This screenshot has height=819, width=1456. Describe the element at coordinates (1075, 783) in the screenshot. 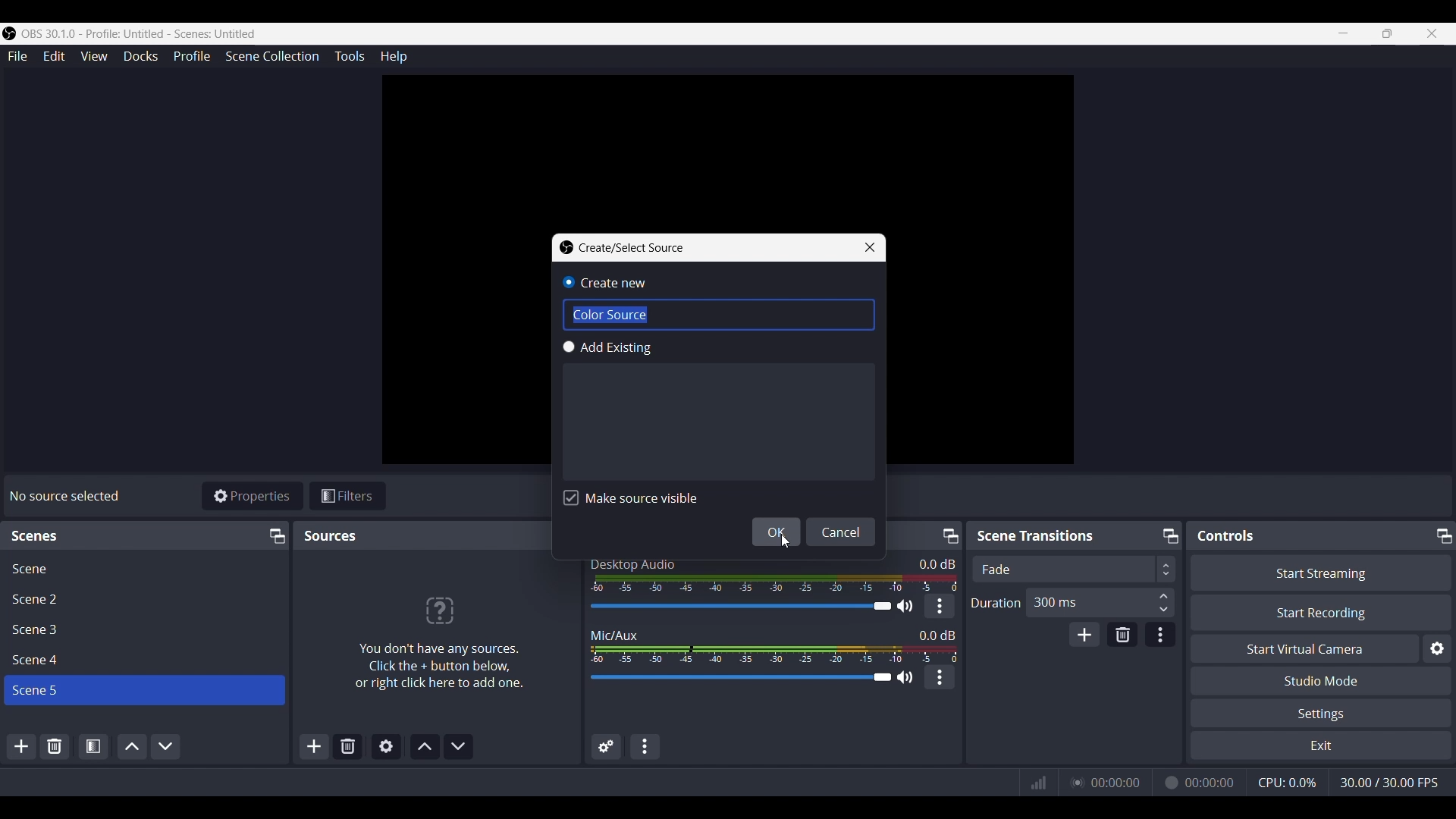

I see `Streaming` at that location.